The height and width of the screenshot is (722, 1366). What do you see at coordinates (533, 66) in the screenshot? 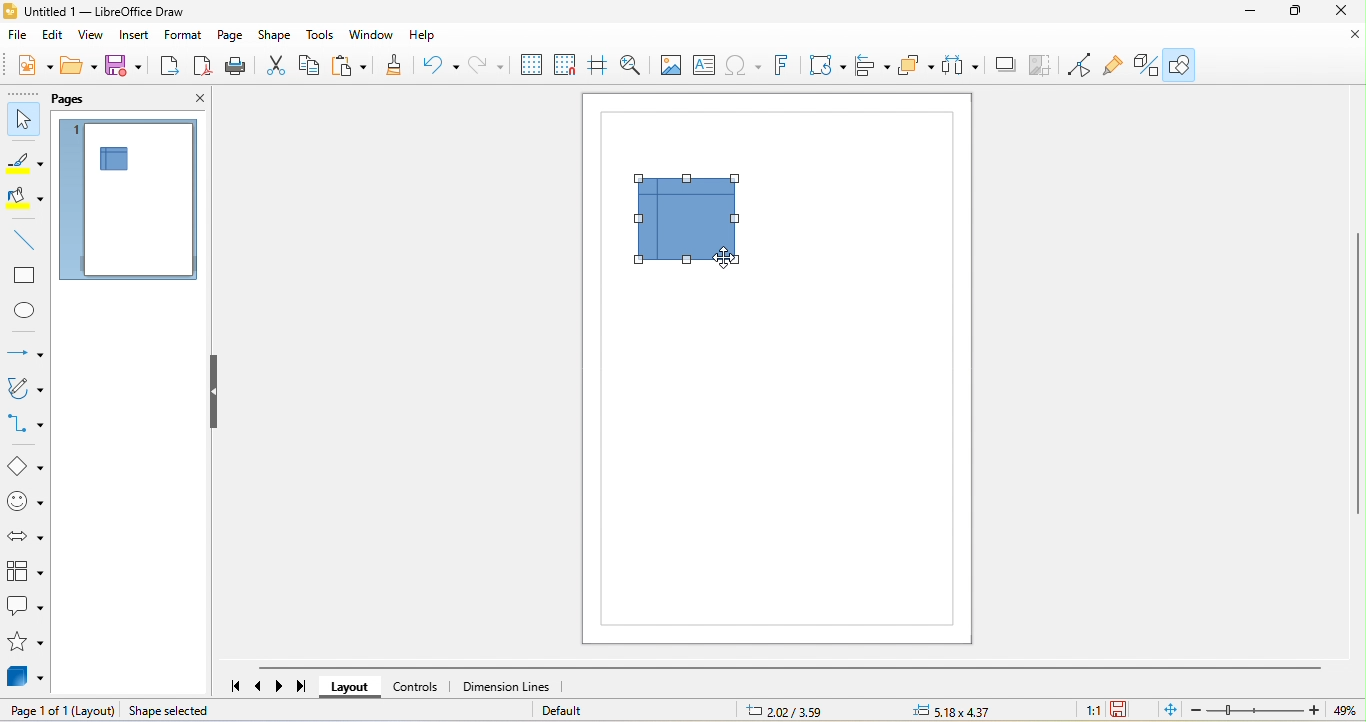
I see `display grid` at bounding box center [533, 66].